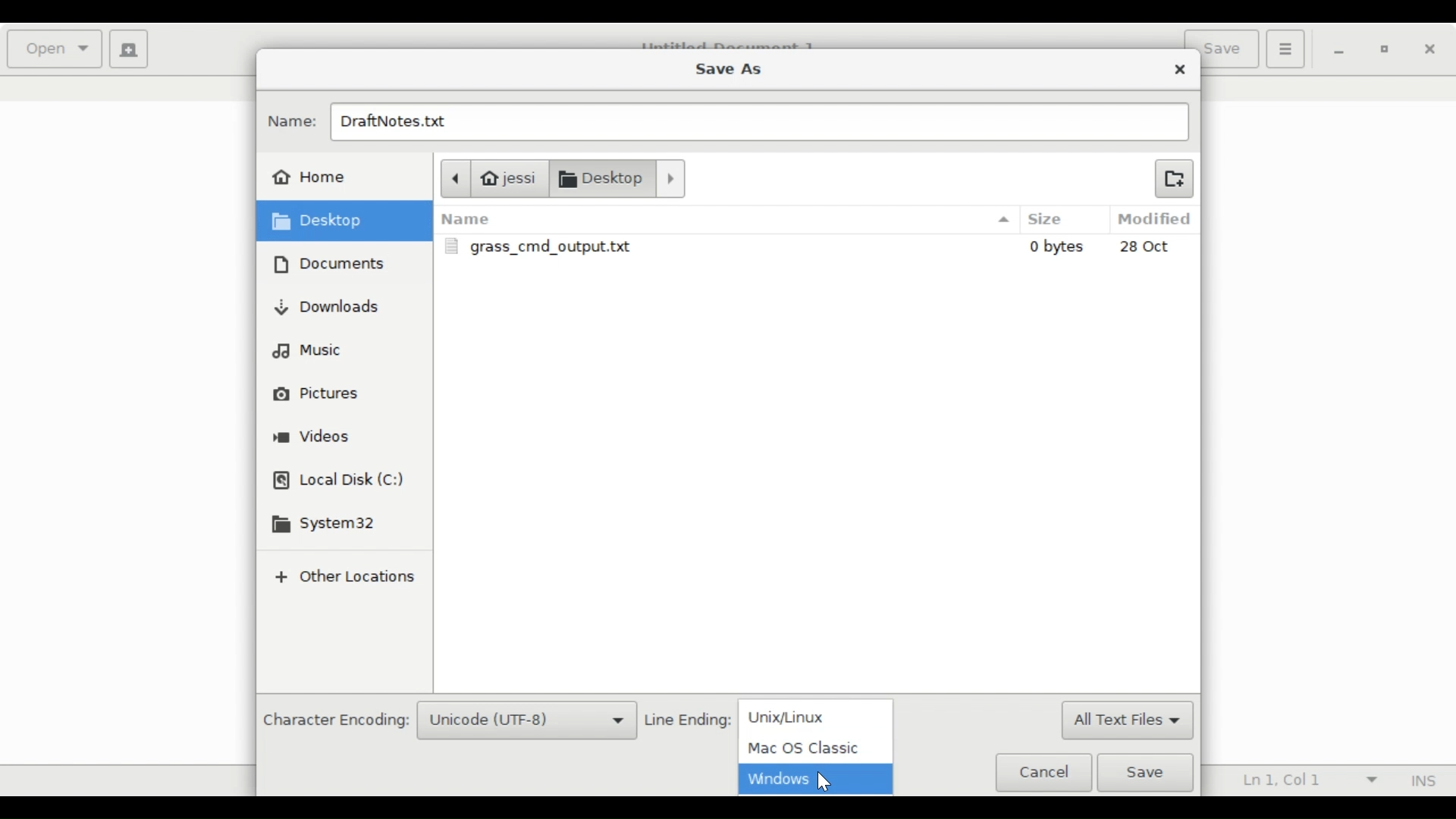 Image resolution: width=1456 pixels, height=819 pixels. What do you see at coordinates (293, 121) in the screenshot?
I see `Name` at bounding box center [293, 121].